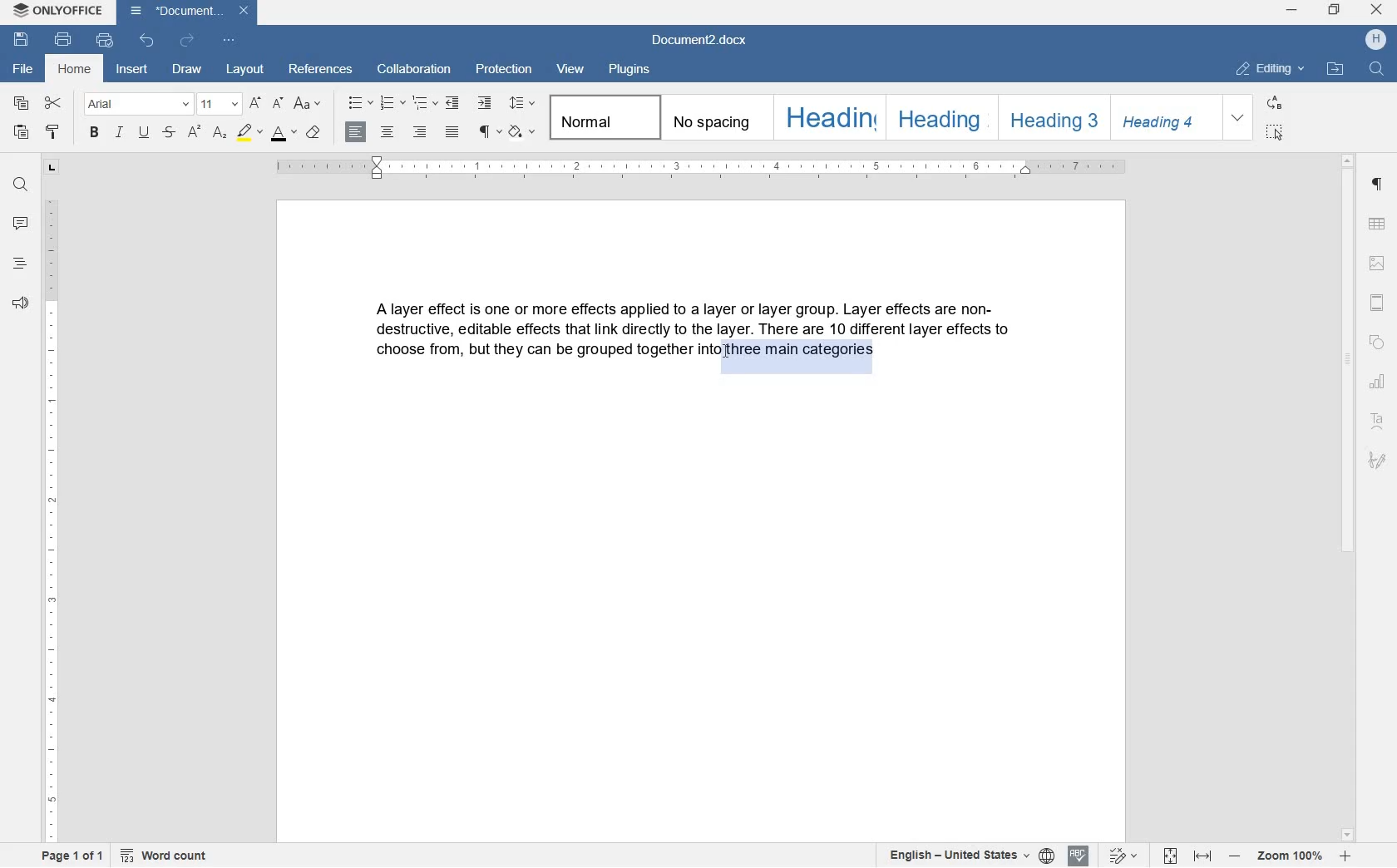 This screenshot has width=1397, height=868. Describe the element at coordinates (20, 224) in the screenshot. I see `comment` at that location.